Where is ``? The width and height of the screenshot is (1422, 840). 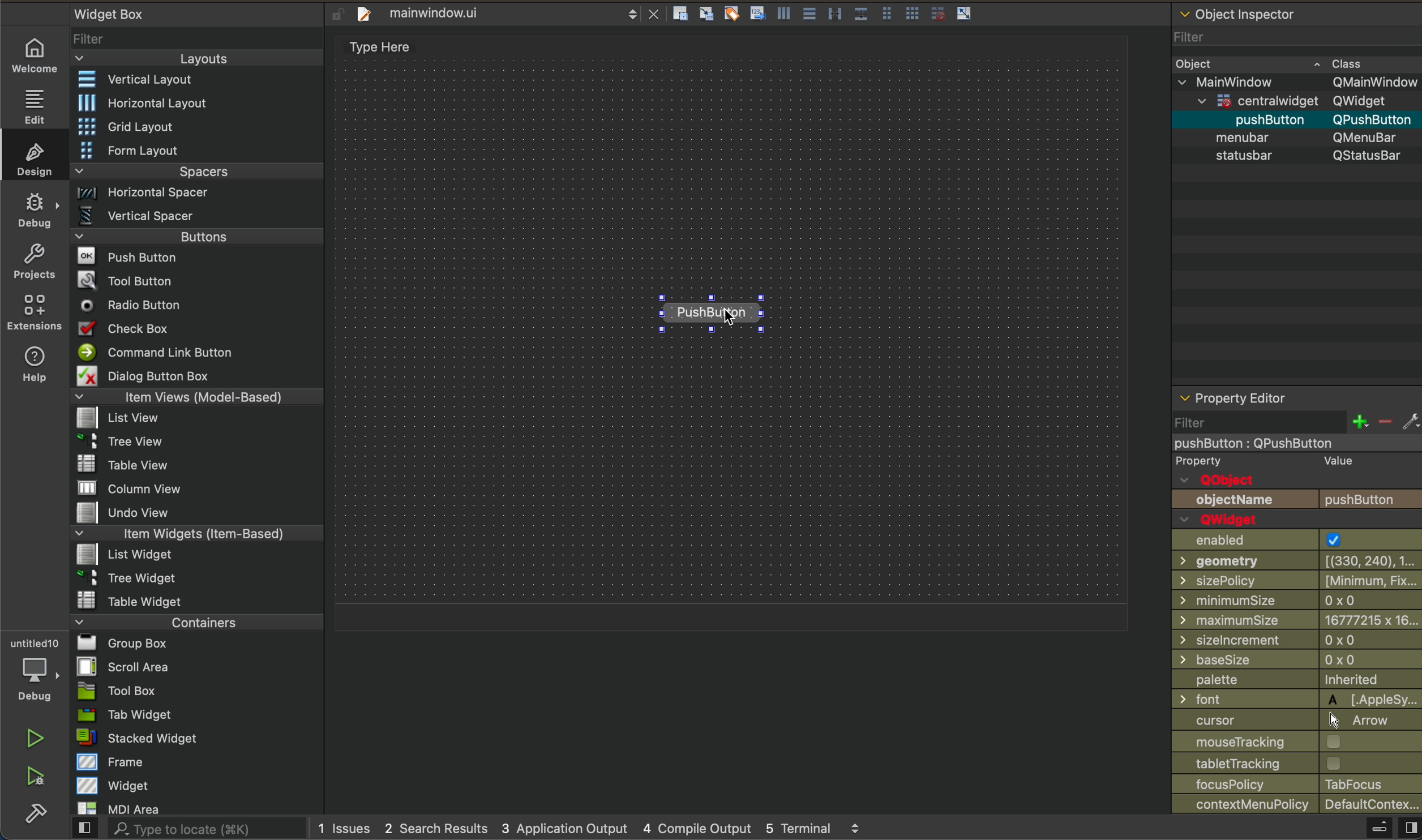
 is located at coordinates (840, 12).